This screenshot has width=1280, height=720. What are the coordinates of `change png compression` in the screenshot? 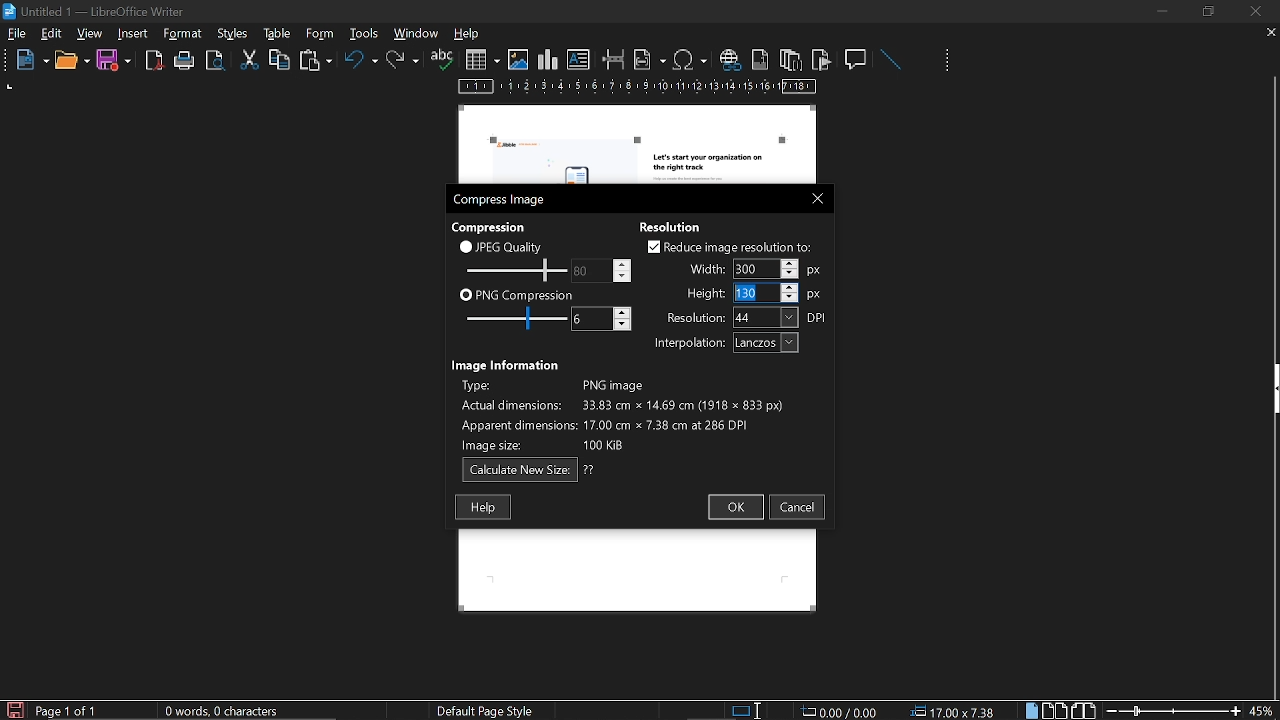 It's located at (601, 319).